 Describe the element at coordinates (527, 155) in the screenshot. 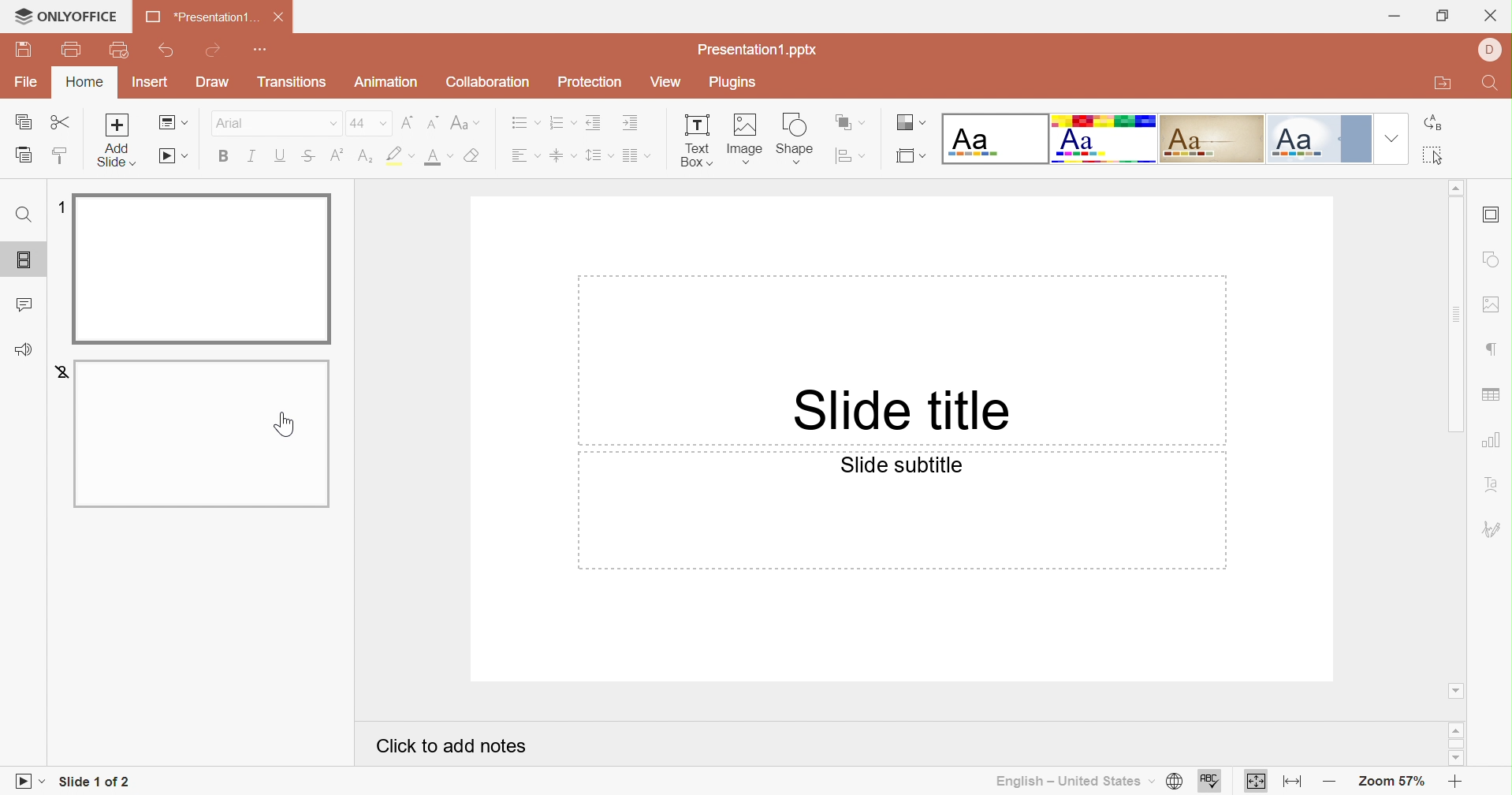

I see `Horizontal align` at that location.